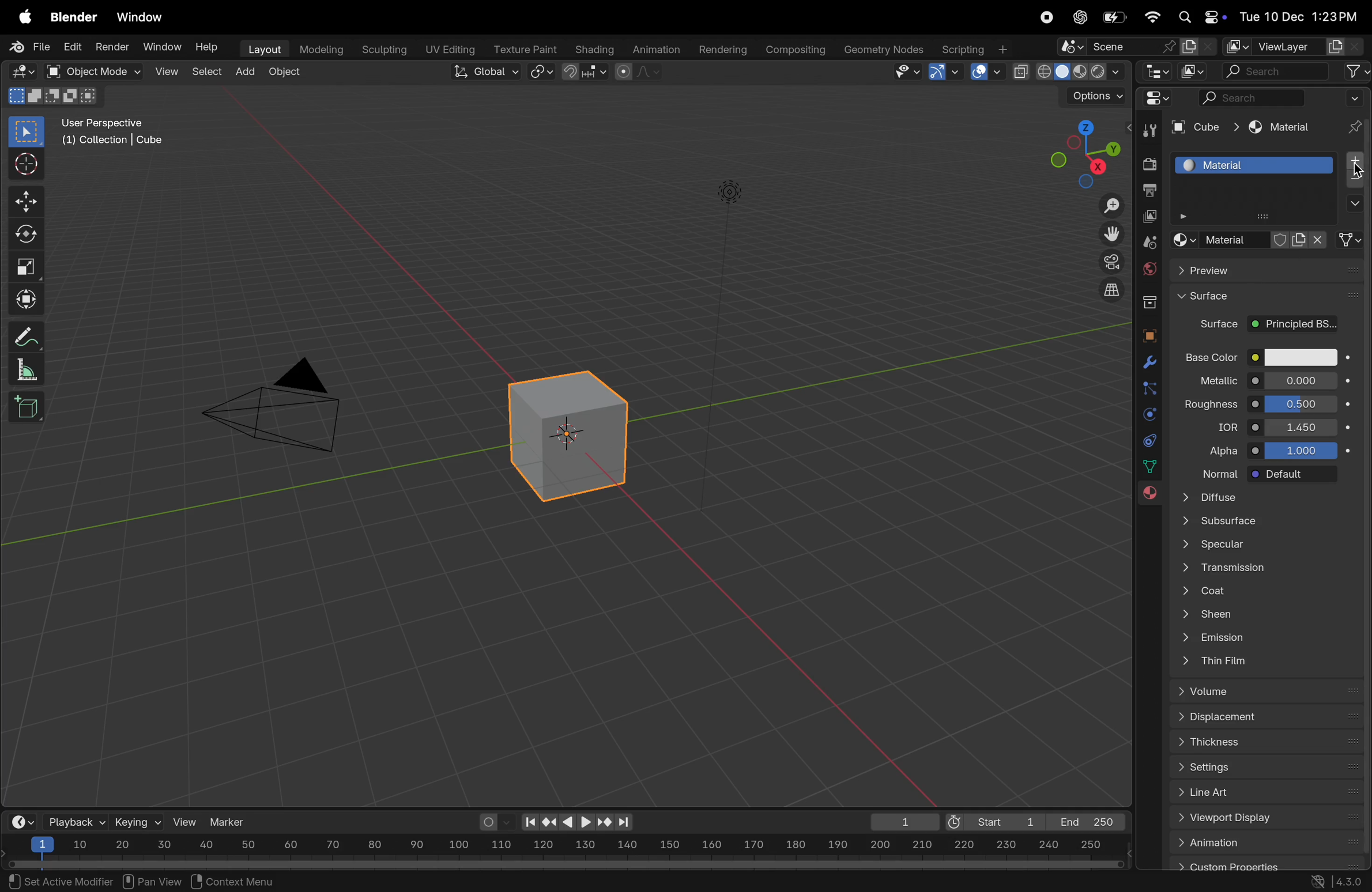  Describe the element at coordinates (1199, 17) in the screenshot. I see `apple widgets` at that location.